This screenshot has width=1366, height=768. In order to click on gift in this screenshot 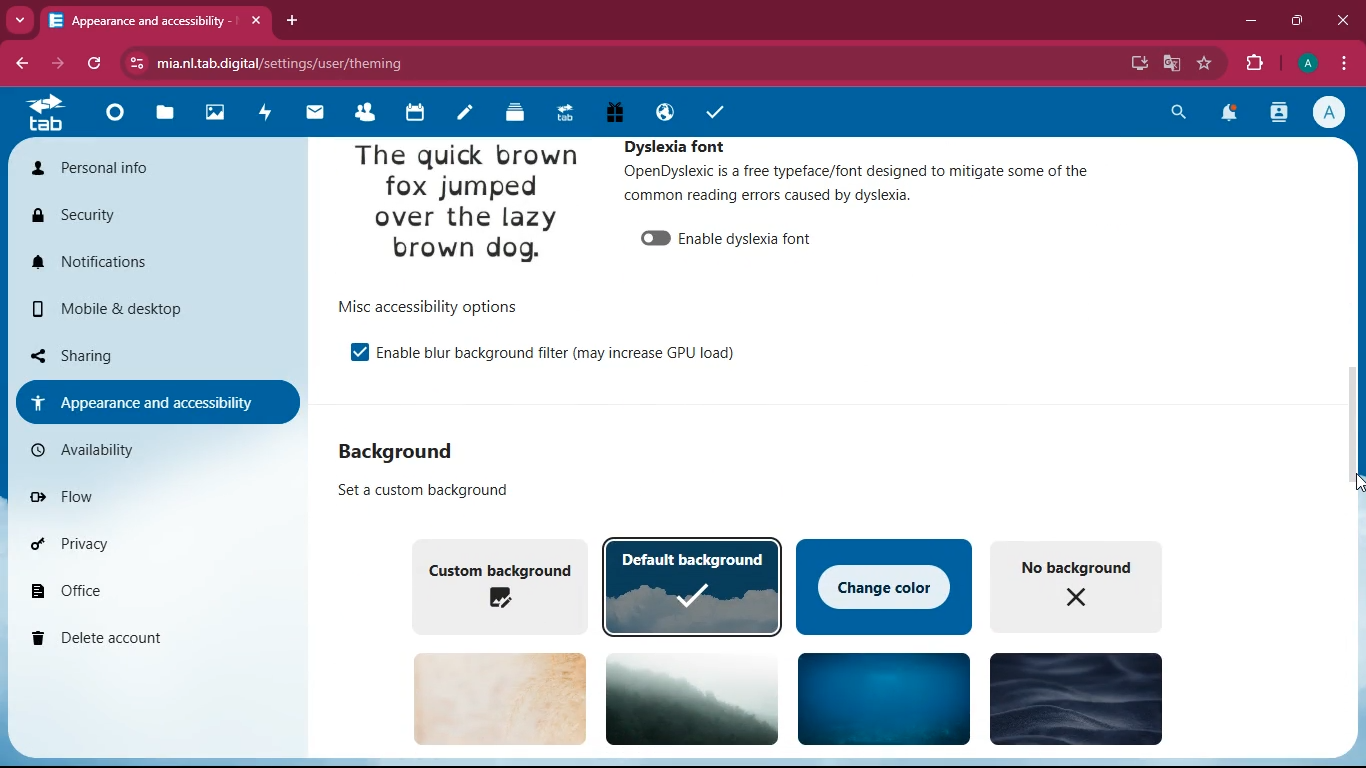, I will do `click(614, 112)`.